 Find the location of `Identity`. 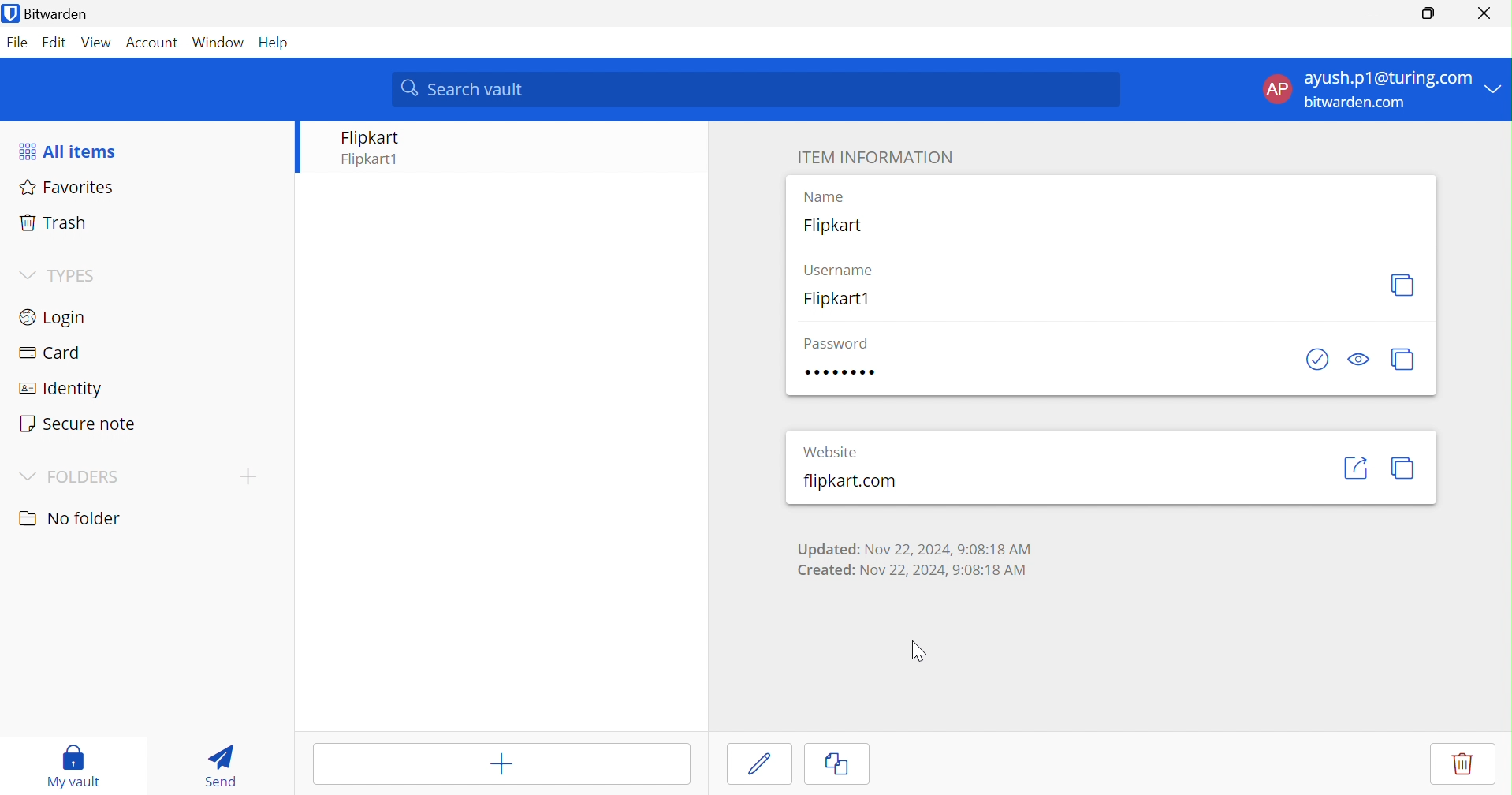

Identity is located at coordinates (62, 390).